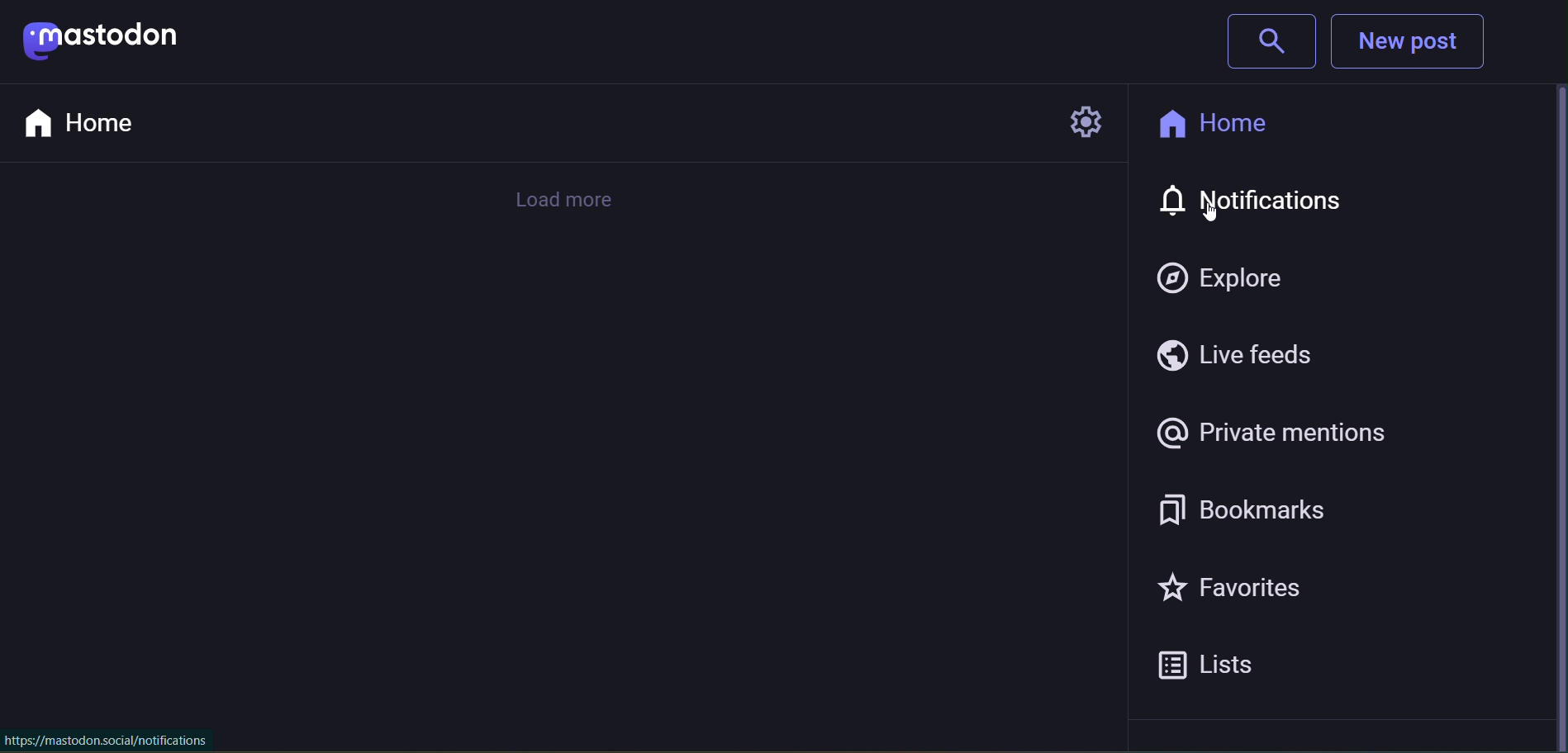 Image resolution: width=1568 pixels, height=753 pixels. Describe the element at coordinates (1271, 514) in the screenshot. I see `Bookmarks` at that location.